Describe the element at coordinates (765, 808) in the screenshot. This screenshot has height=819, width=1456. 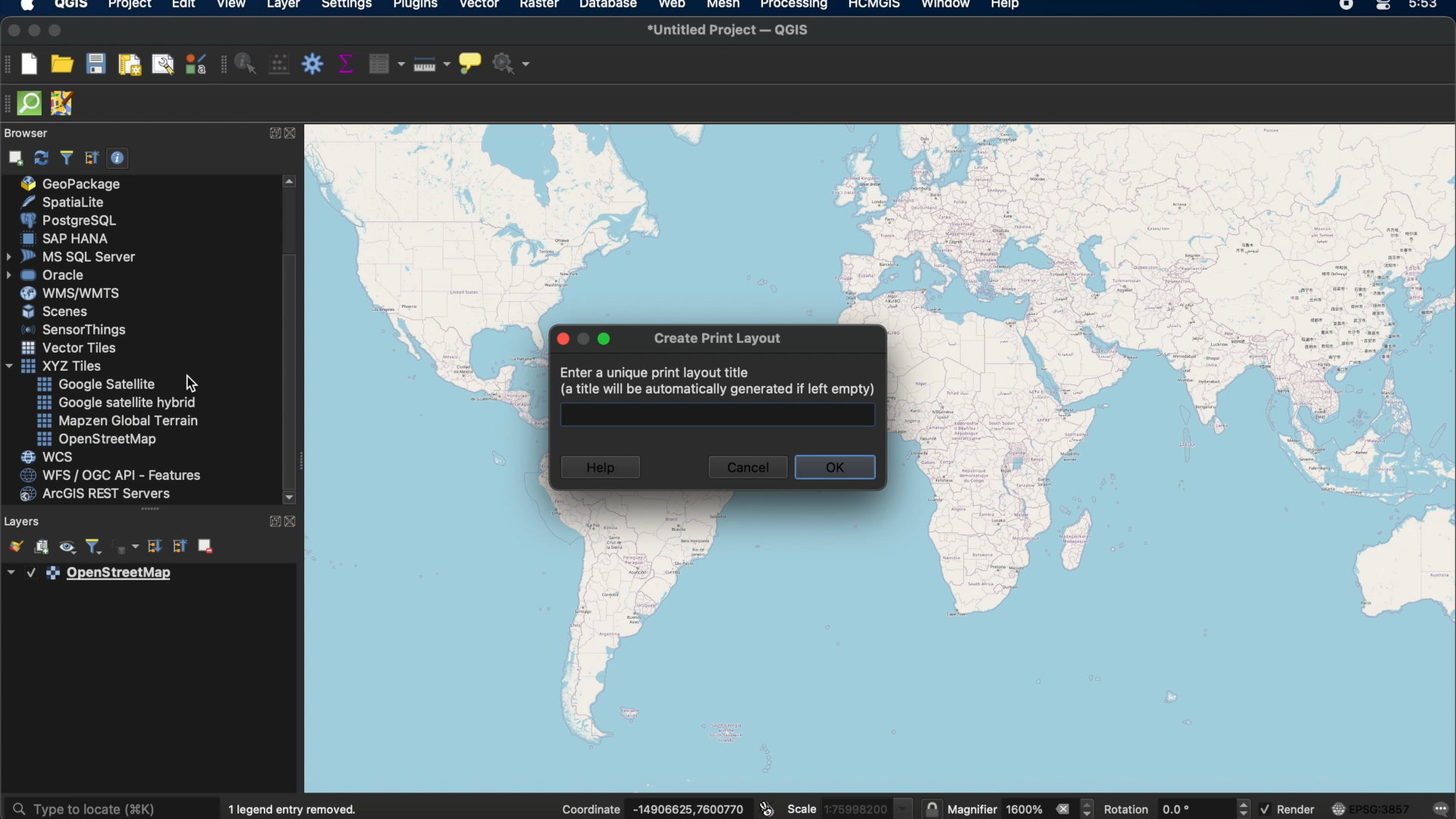
I see `toggle extents and mouse position display` at that location.